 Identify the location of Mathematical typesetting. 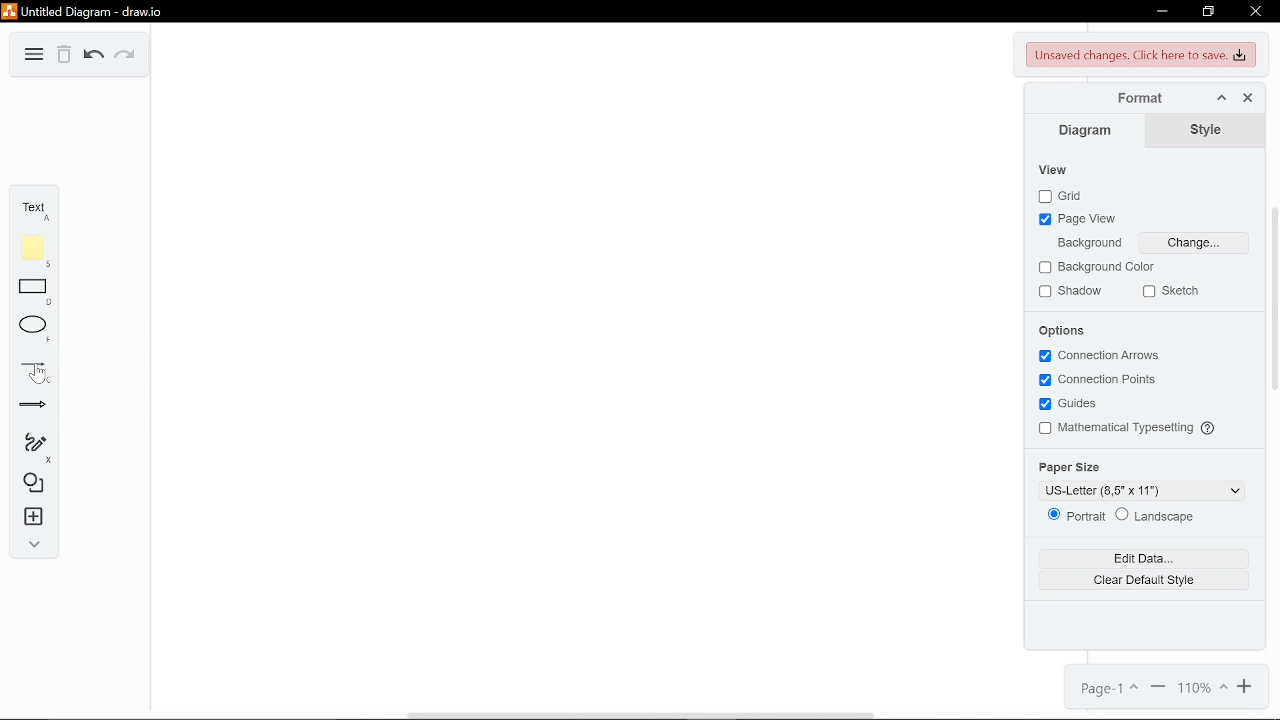
(1120, 430).